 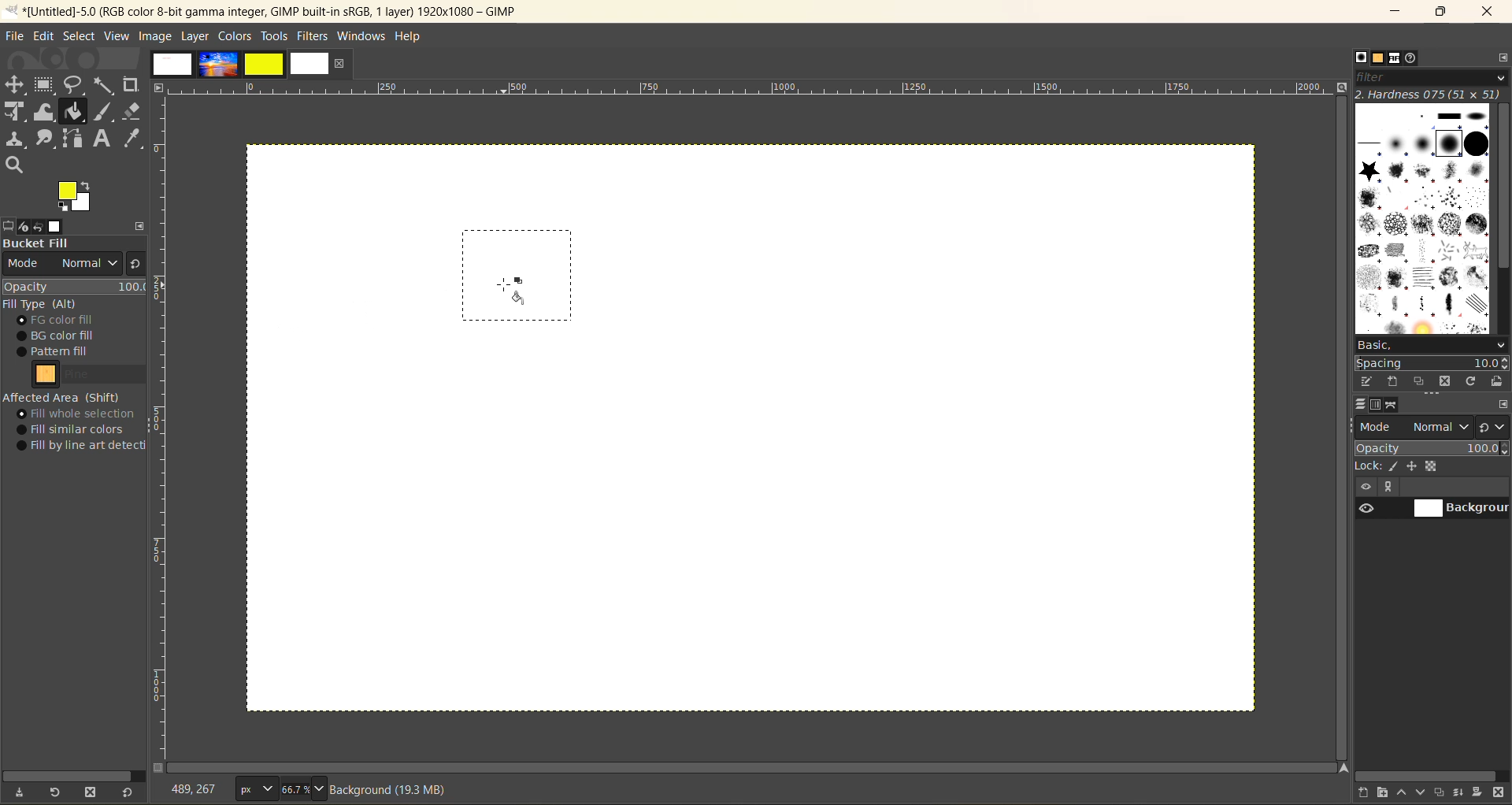 I want to click on mode , so click(x=61, y=266).